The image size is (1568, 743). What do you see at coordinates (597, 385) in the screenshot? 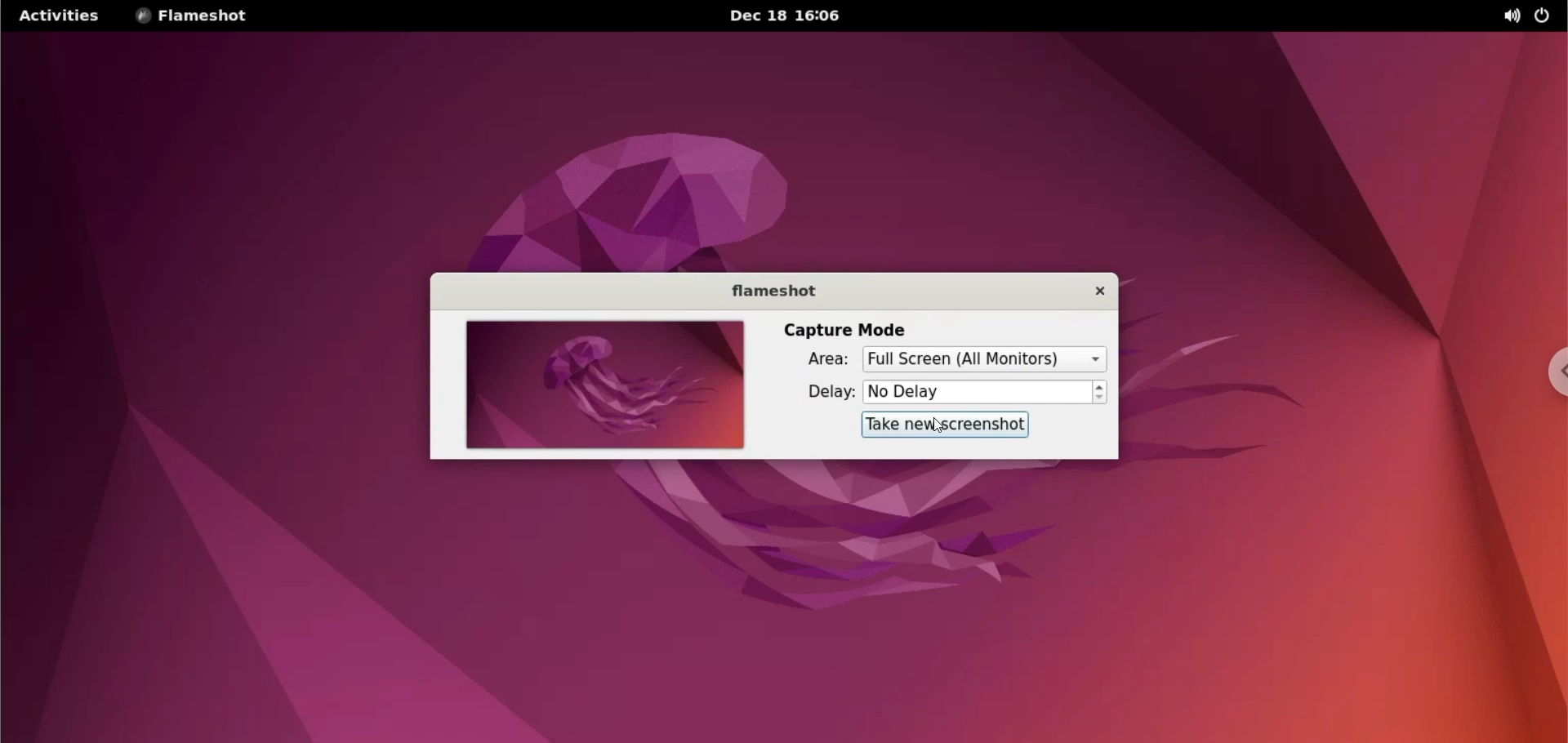
I see `screenshot preview` at bounding box center [597, 385].